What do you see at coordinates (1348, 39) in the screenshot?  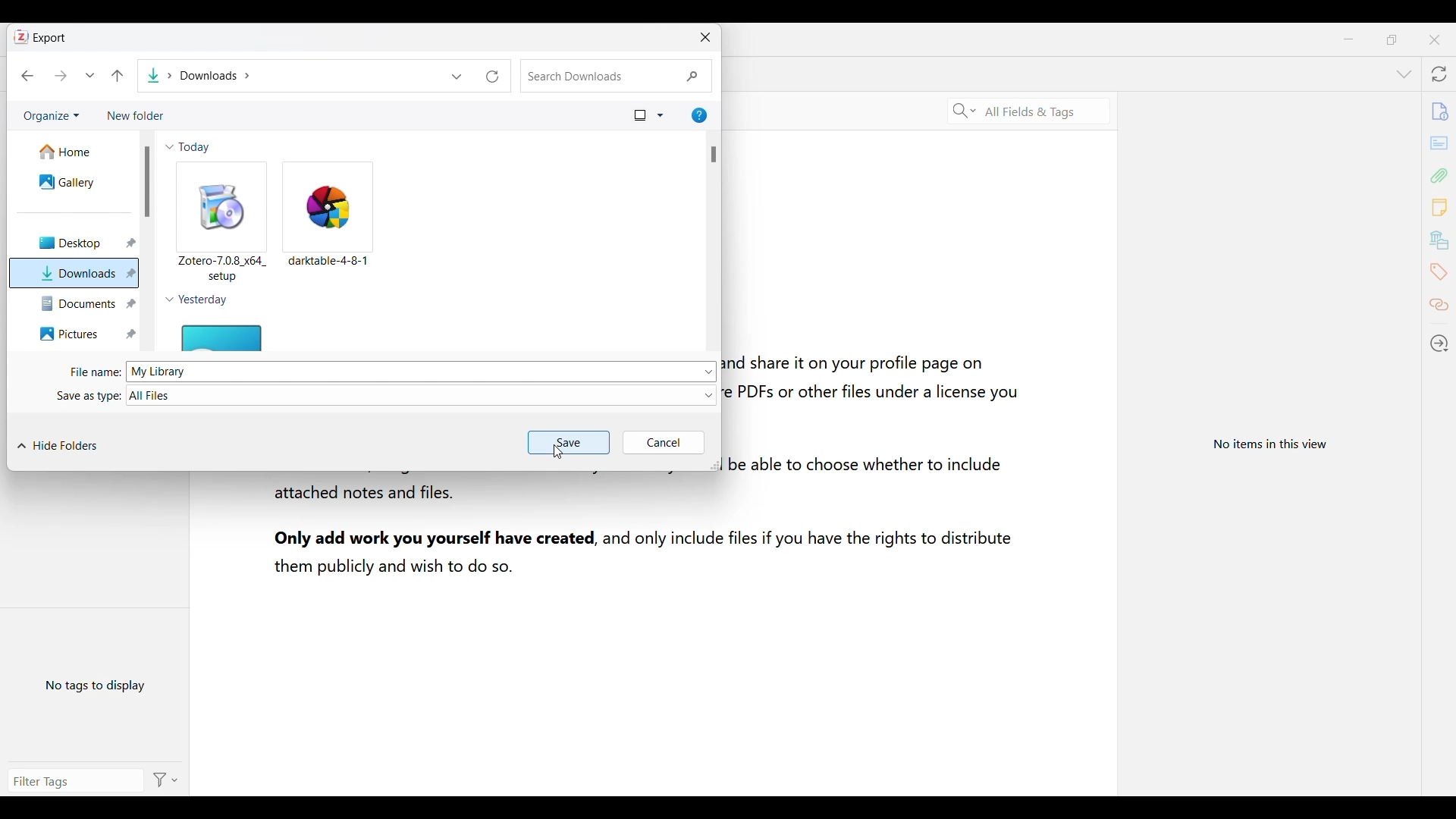 I see `Minimize` at bounding box center [1348, 39].